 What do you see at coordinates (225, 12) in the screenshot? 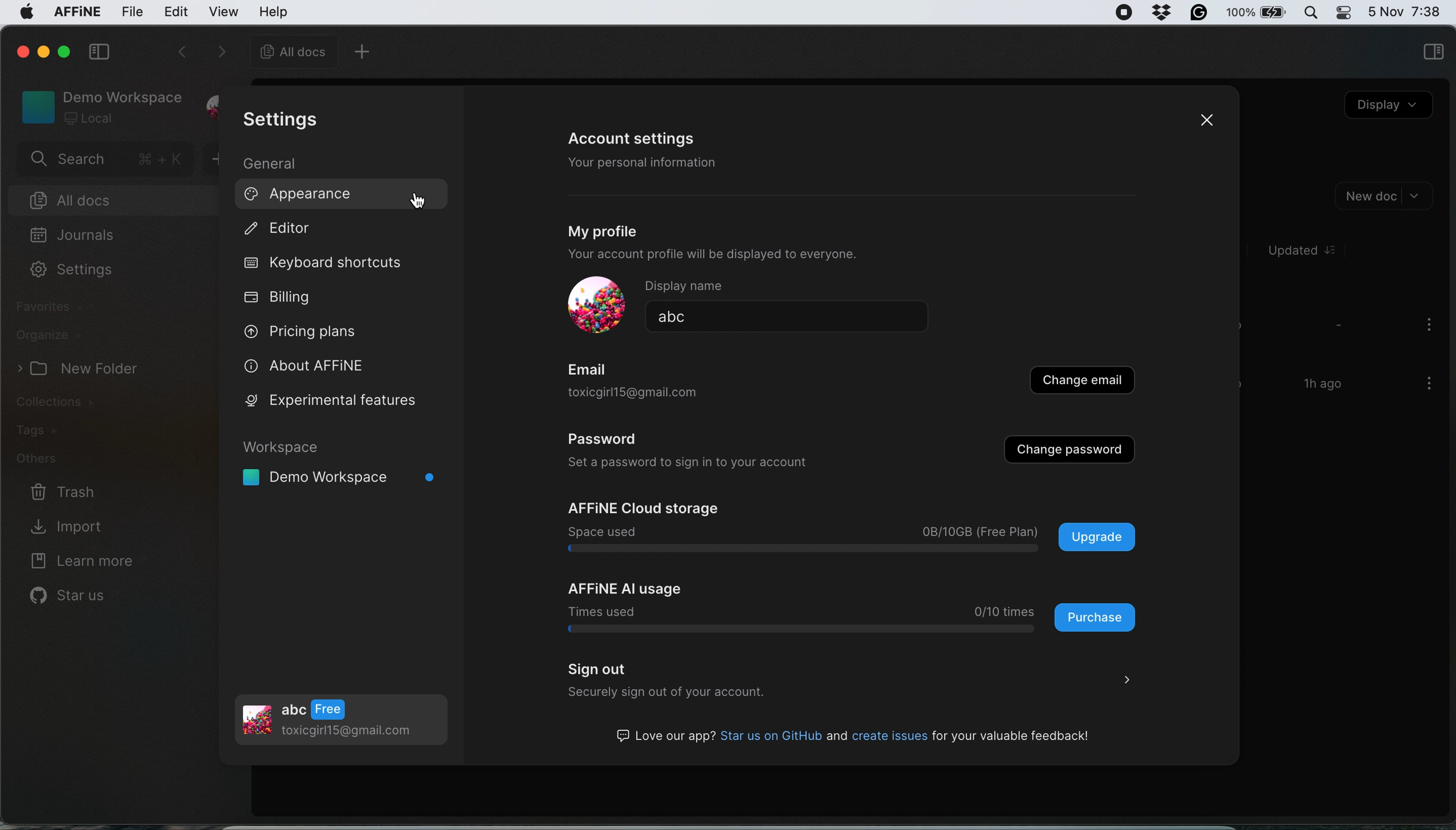
I see `view` at bounding box center [225, 12].